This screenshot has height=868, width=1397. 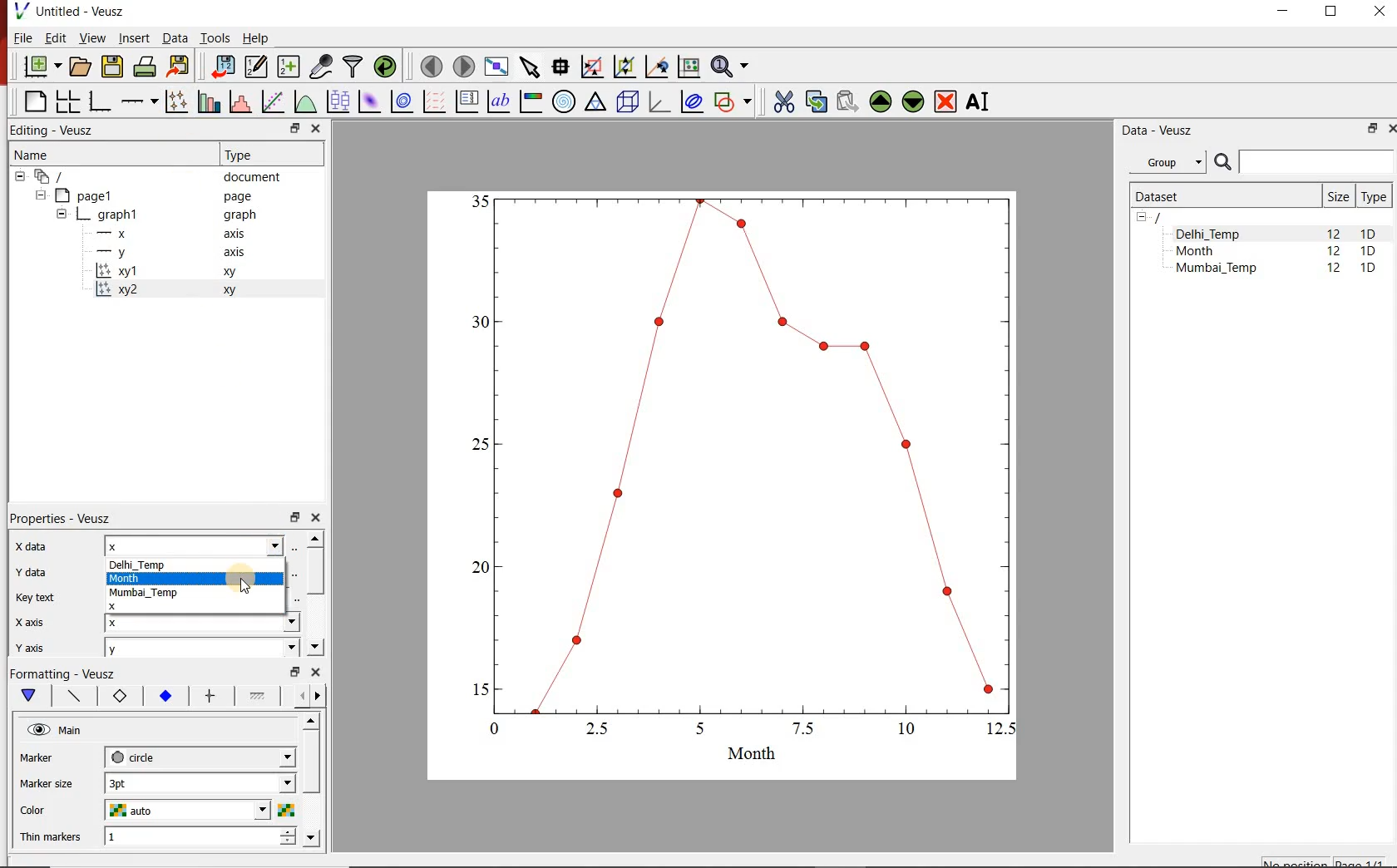 What do you see at coordinates (28, 648) in the screenshot?
I see `y axis` at bounding box center [28, 648].